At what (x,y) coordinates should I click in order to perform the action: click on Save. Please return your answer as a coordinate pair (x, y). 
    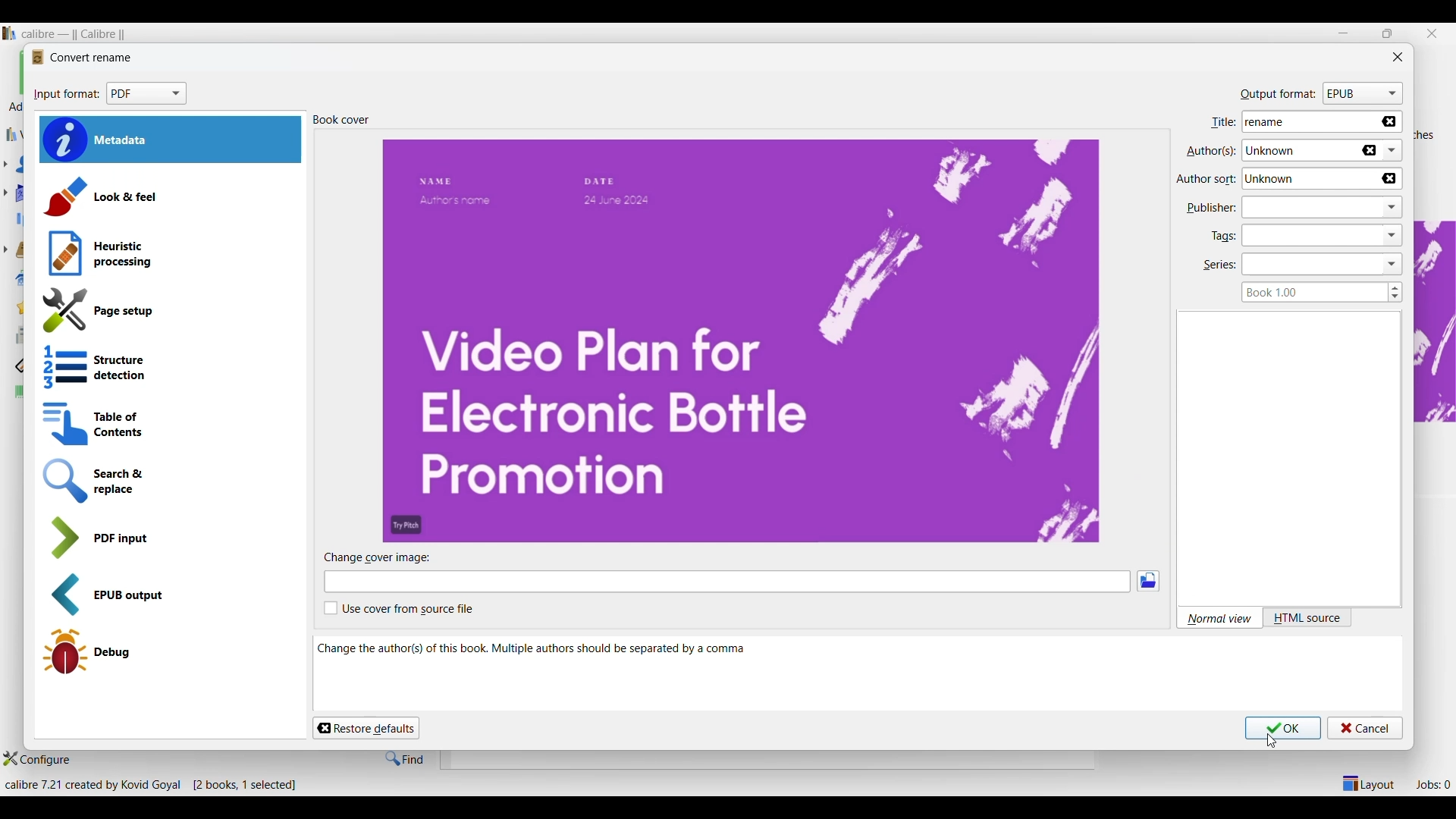
    Looking at the image, I should click on (1283, 730).